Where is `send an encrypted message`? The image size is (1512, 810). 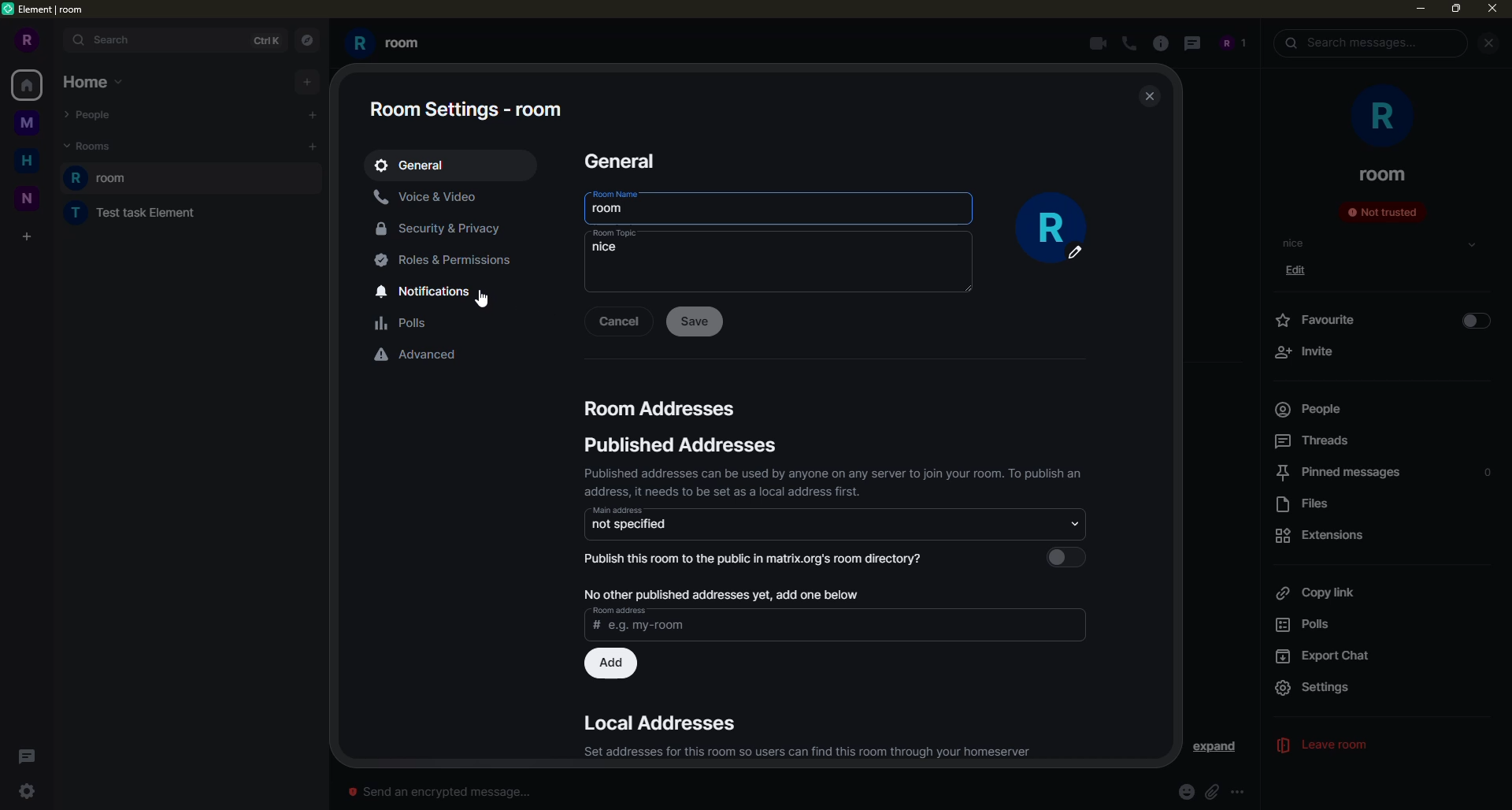
send an encrypted message is located at coordinates (436, 792).